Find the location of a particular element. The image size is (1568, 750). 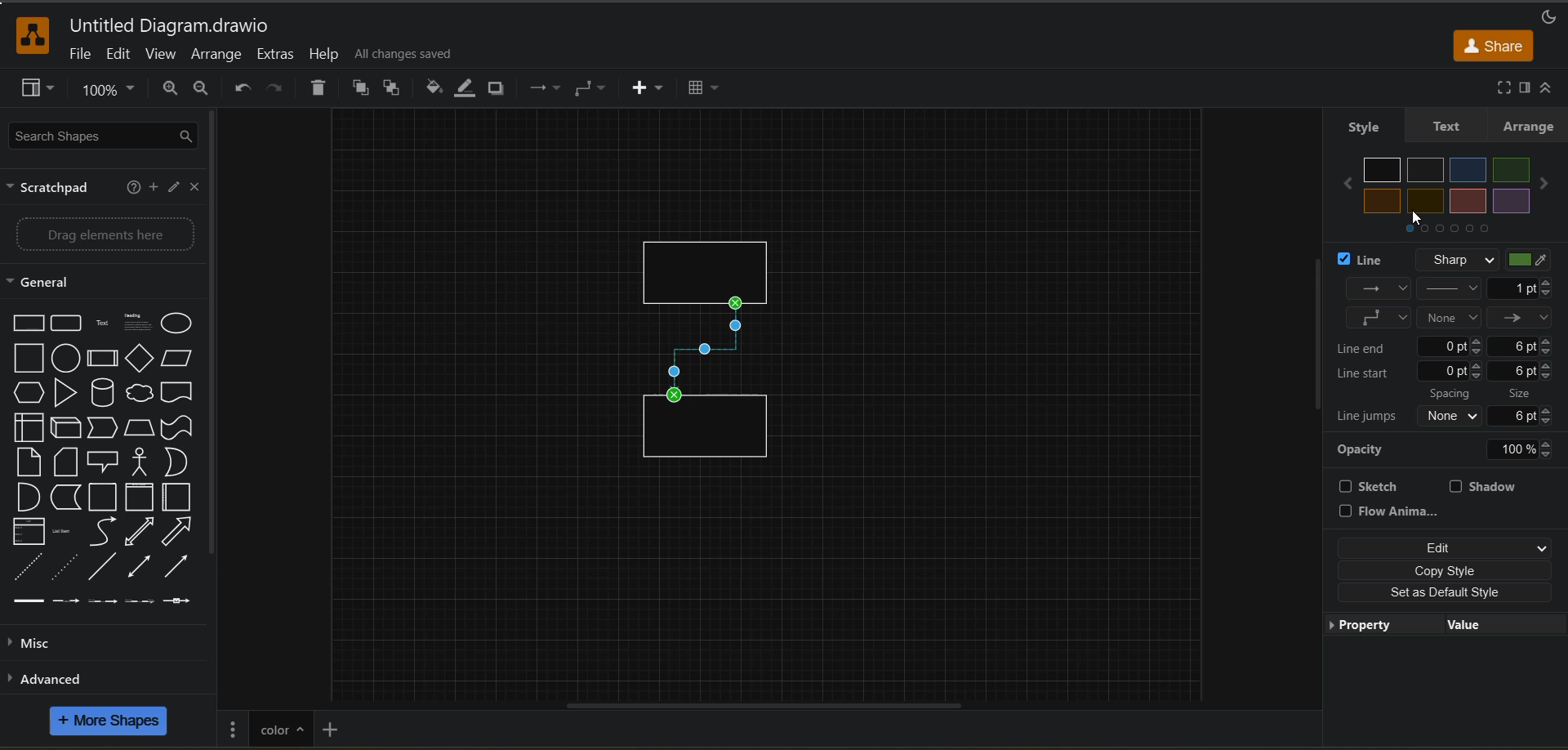

Bidirectional Arrow is located at coordinates (140, 532).